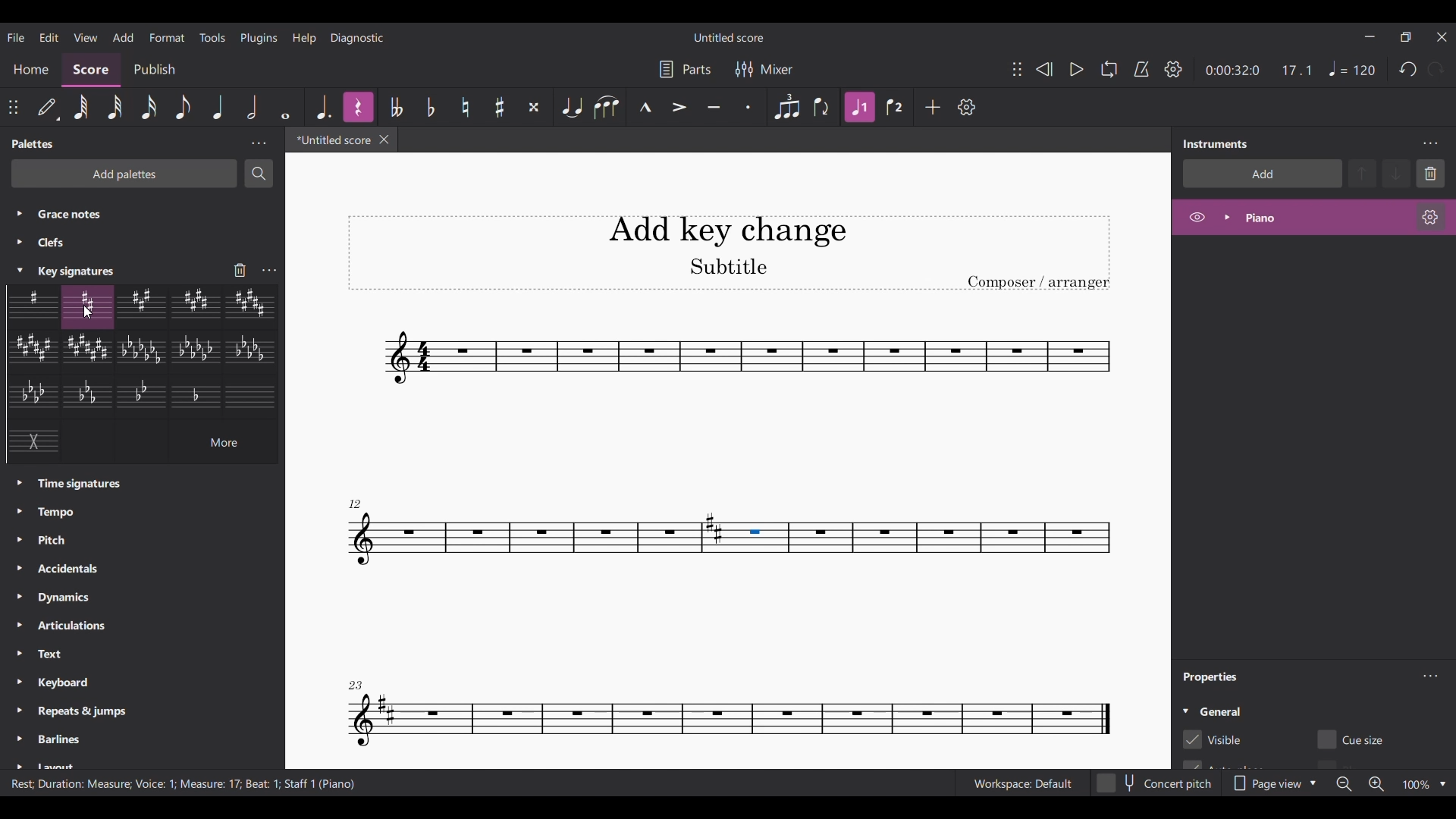 This screenshot has width=1456, height=819. Describe the element at coordinates (466, 107) in the screenshot. I see `Toggle sharp` at that location.